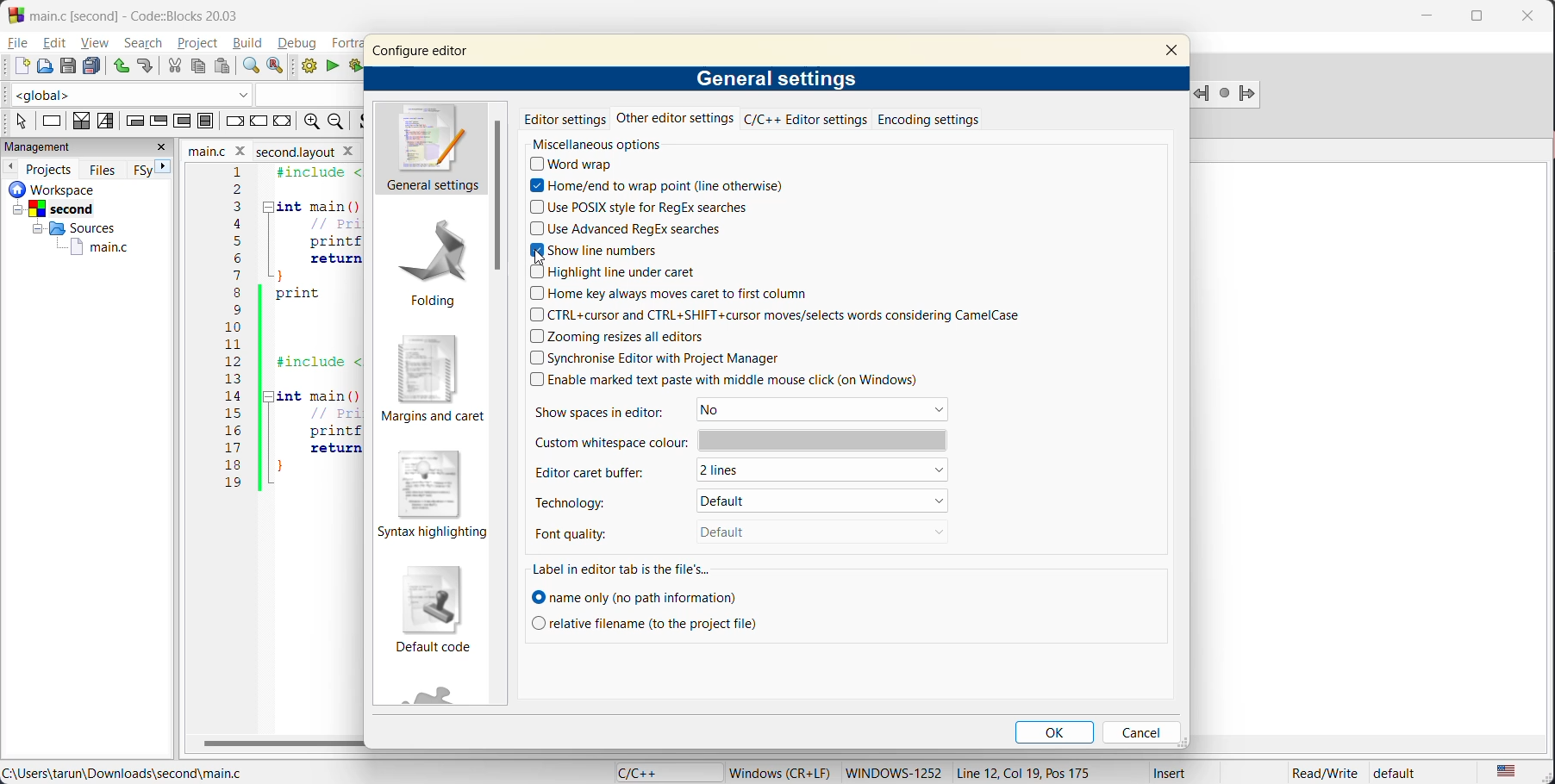  I want to click on fortran, so click(341, 43).